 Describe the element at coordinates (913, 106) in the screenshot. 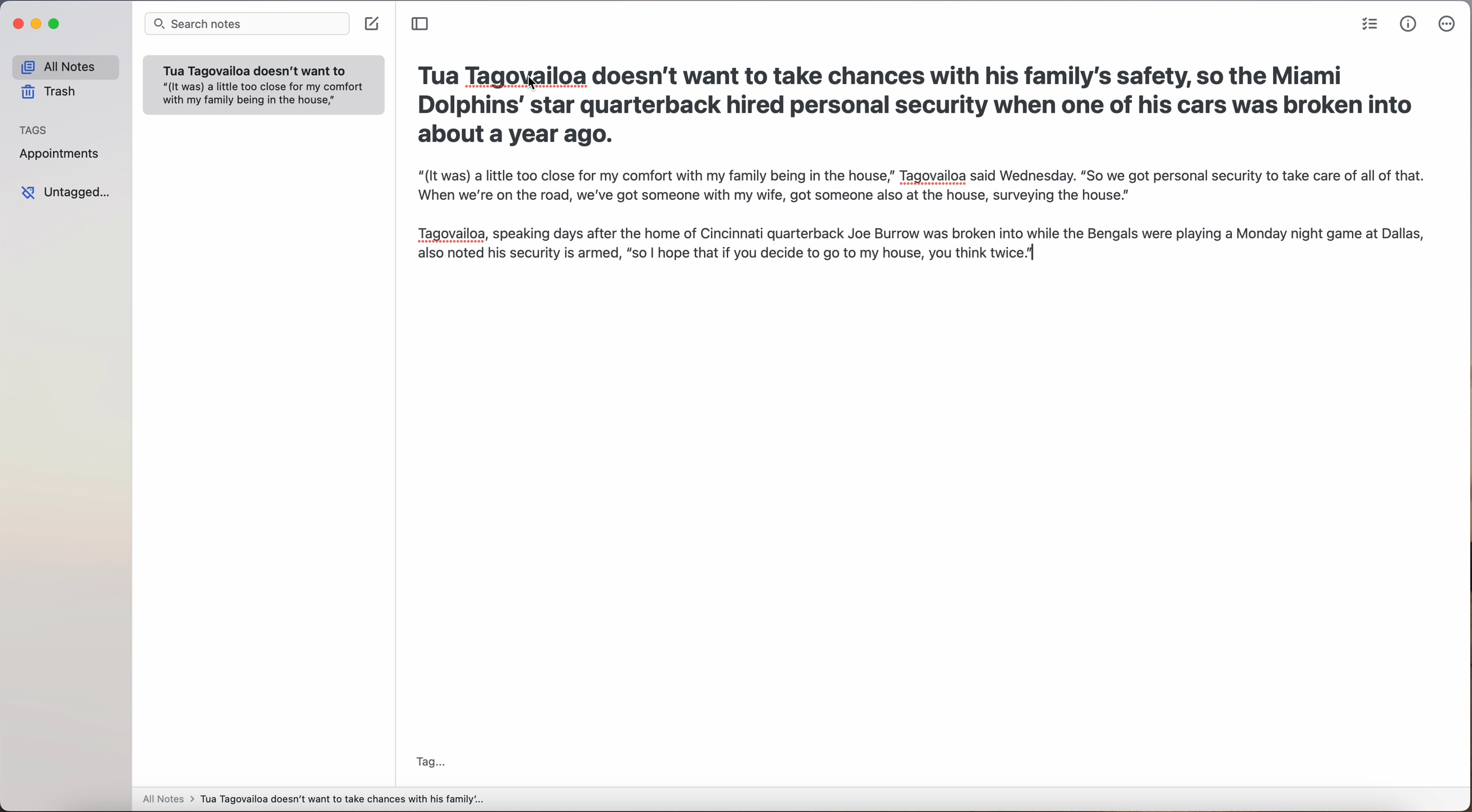

I see `Tua Tagovailoa doesn't want to take chances with his family's safety, so the Miami Dolphins' star quarterback hired personal security when one of his cars was broken into about a year ago.` at that location.